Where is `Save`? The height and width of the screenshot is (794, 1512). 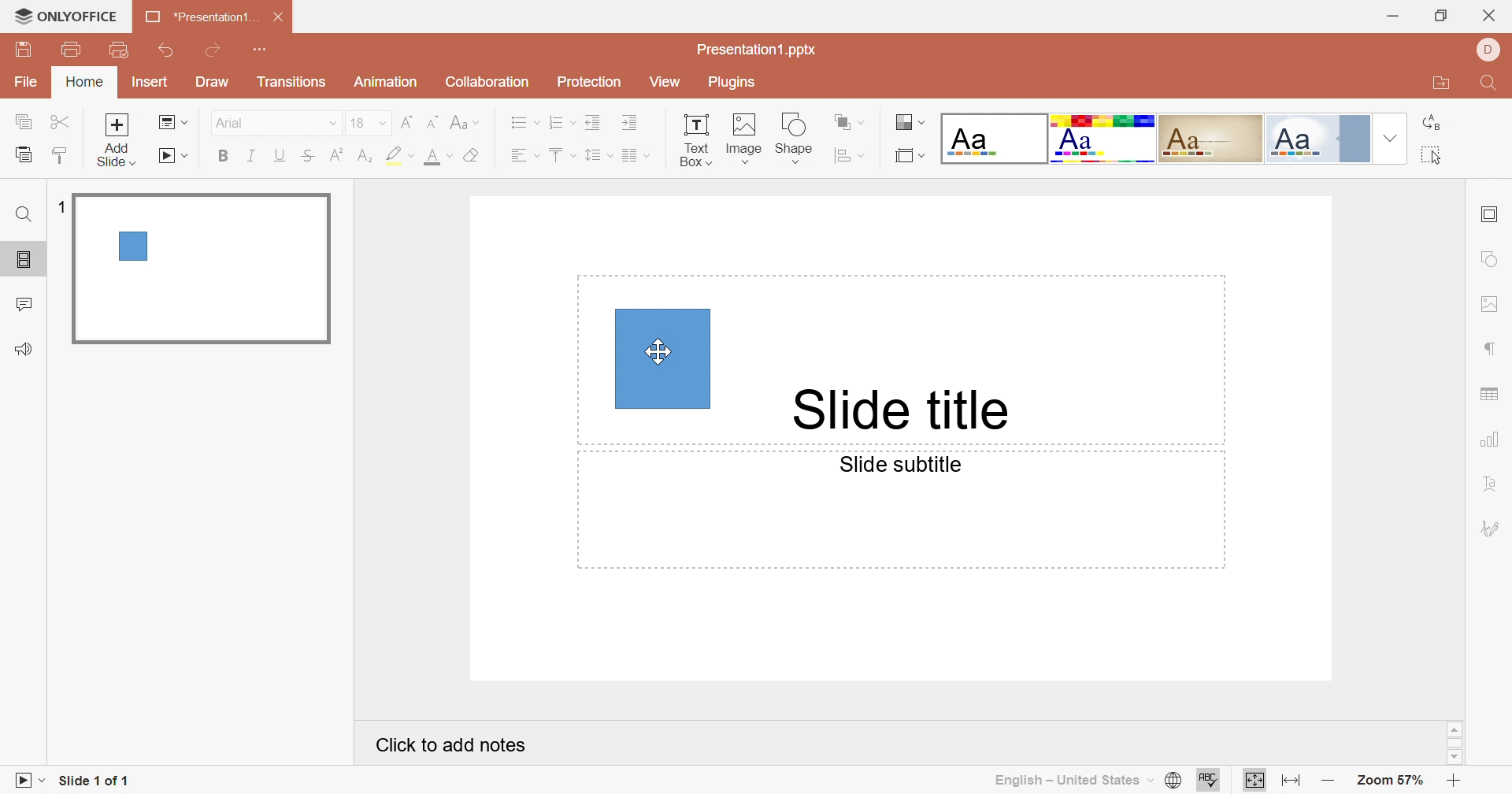 Save is located at coordinates (24, 51).